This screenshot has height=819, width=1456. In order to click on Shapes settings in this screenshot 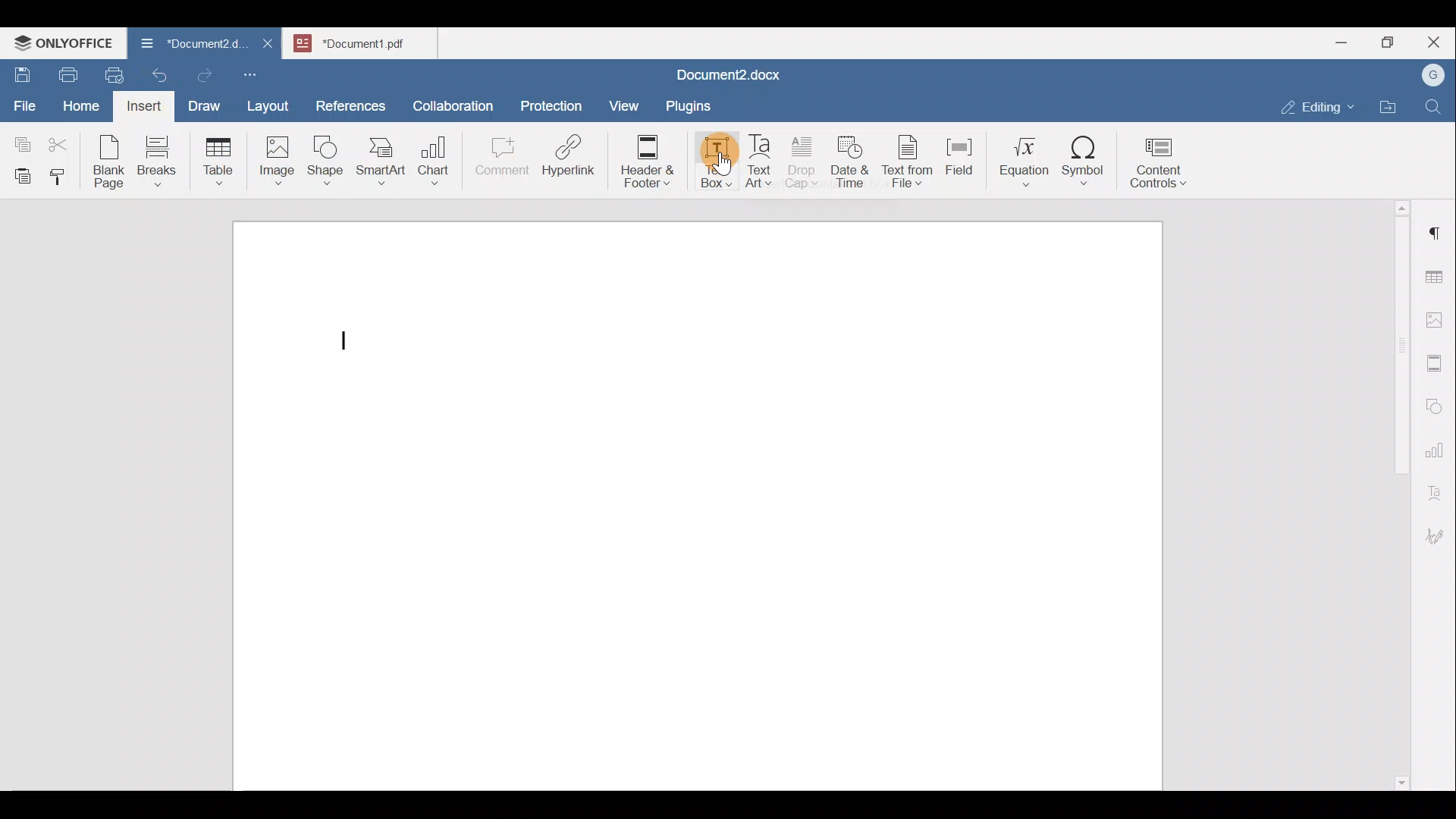, I will do `click(1437, 404)`.